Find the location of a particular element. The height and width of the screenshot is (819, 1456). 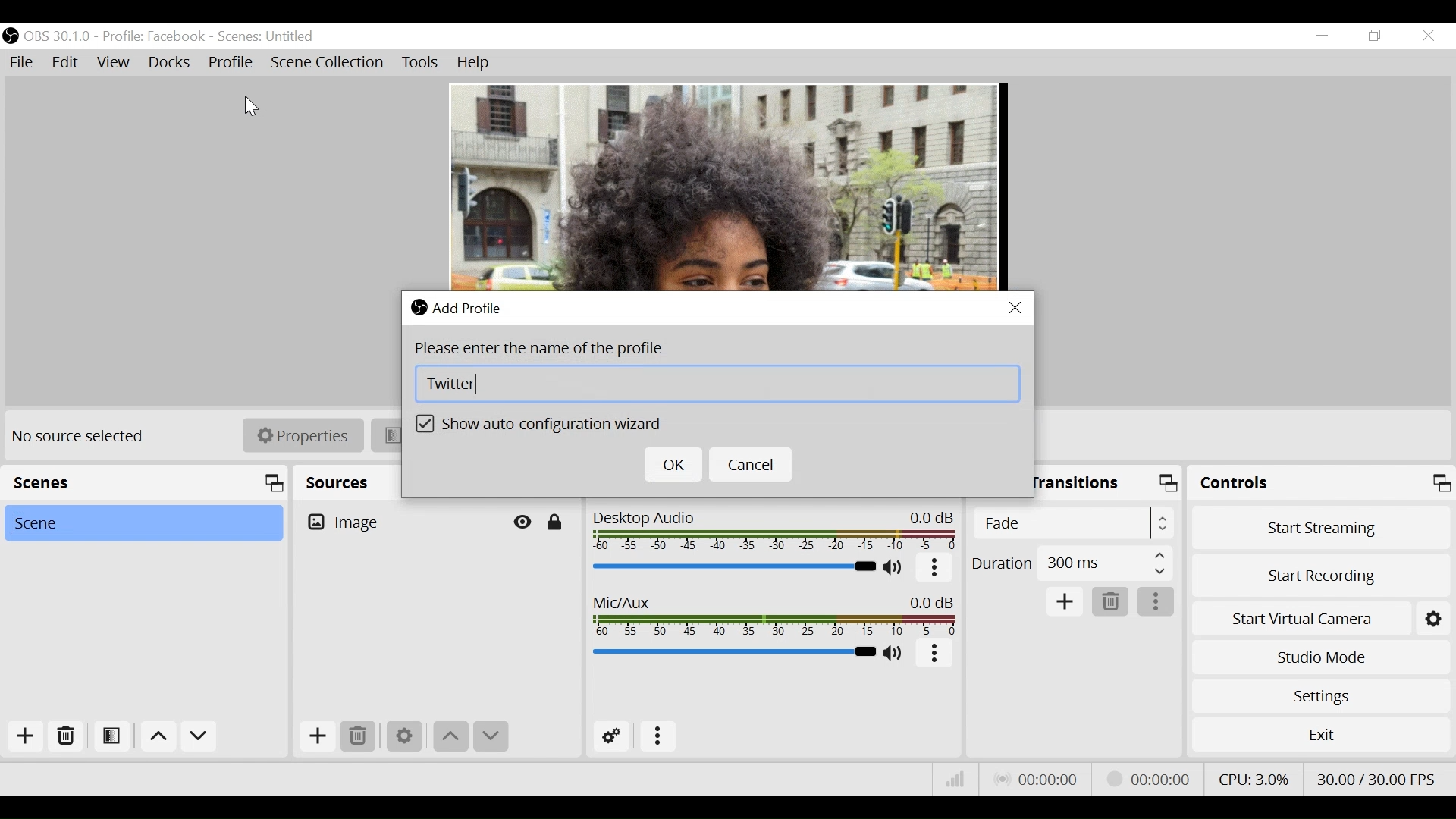

Settings  is located at coordinates (1320, 696).